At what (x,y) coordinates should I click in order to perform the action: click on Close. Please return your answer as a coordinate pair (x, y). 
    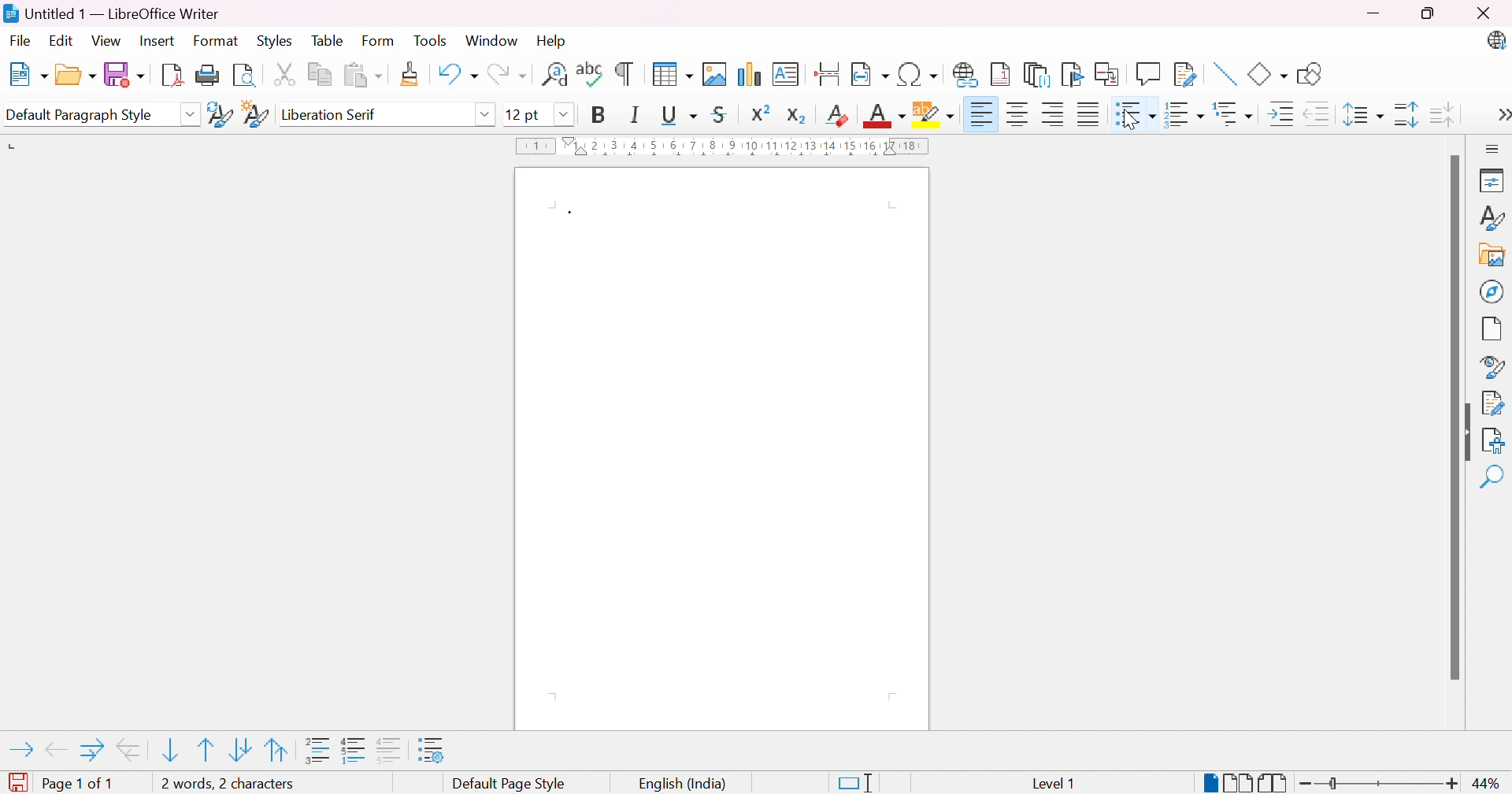
    Looking at the image, I should click on (1488, 13).